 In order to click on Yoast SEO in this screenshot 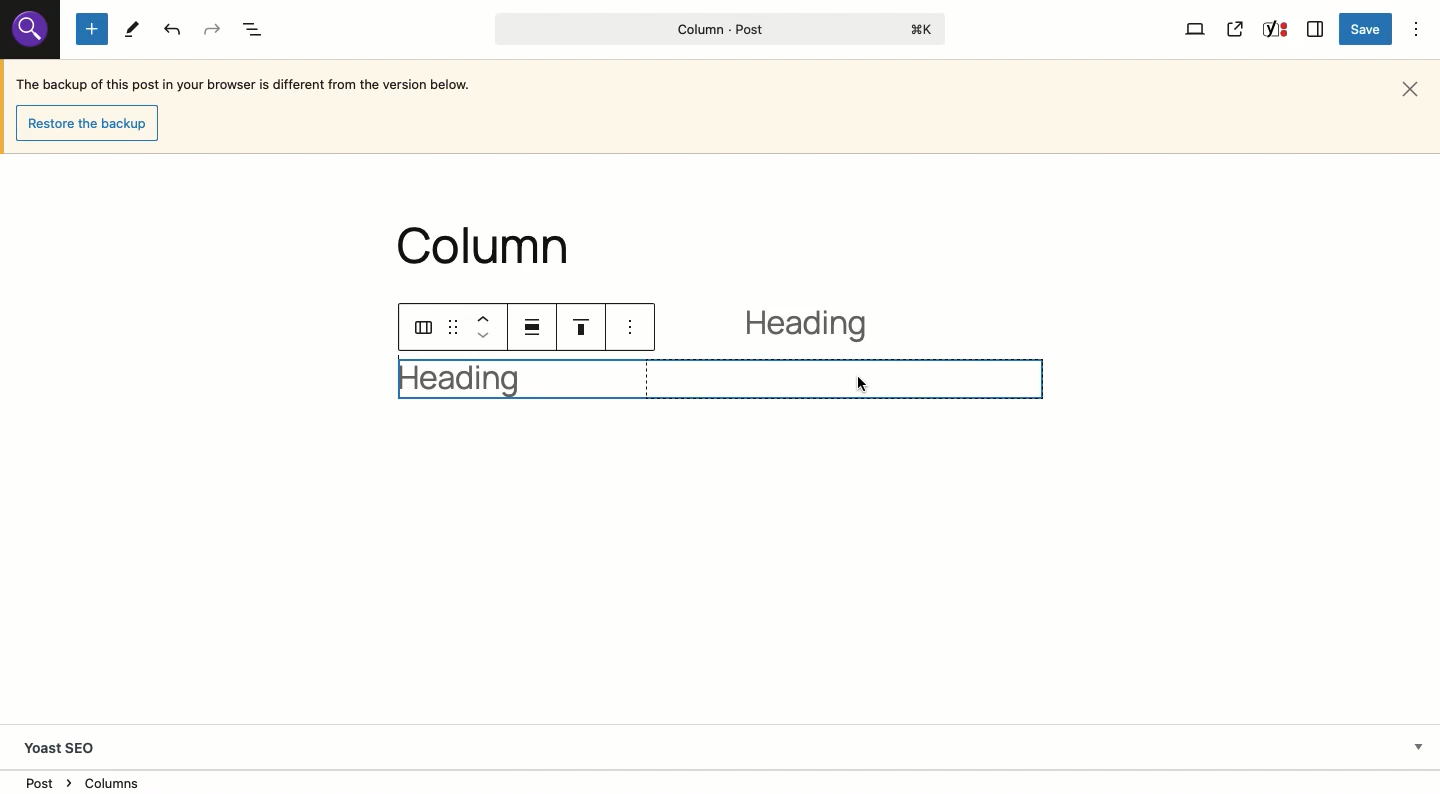, I will do `click(68, 748)`.